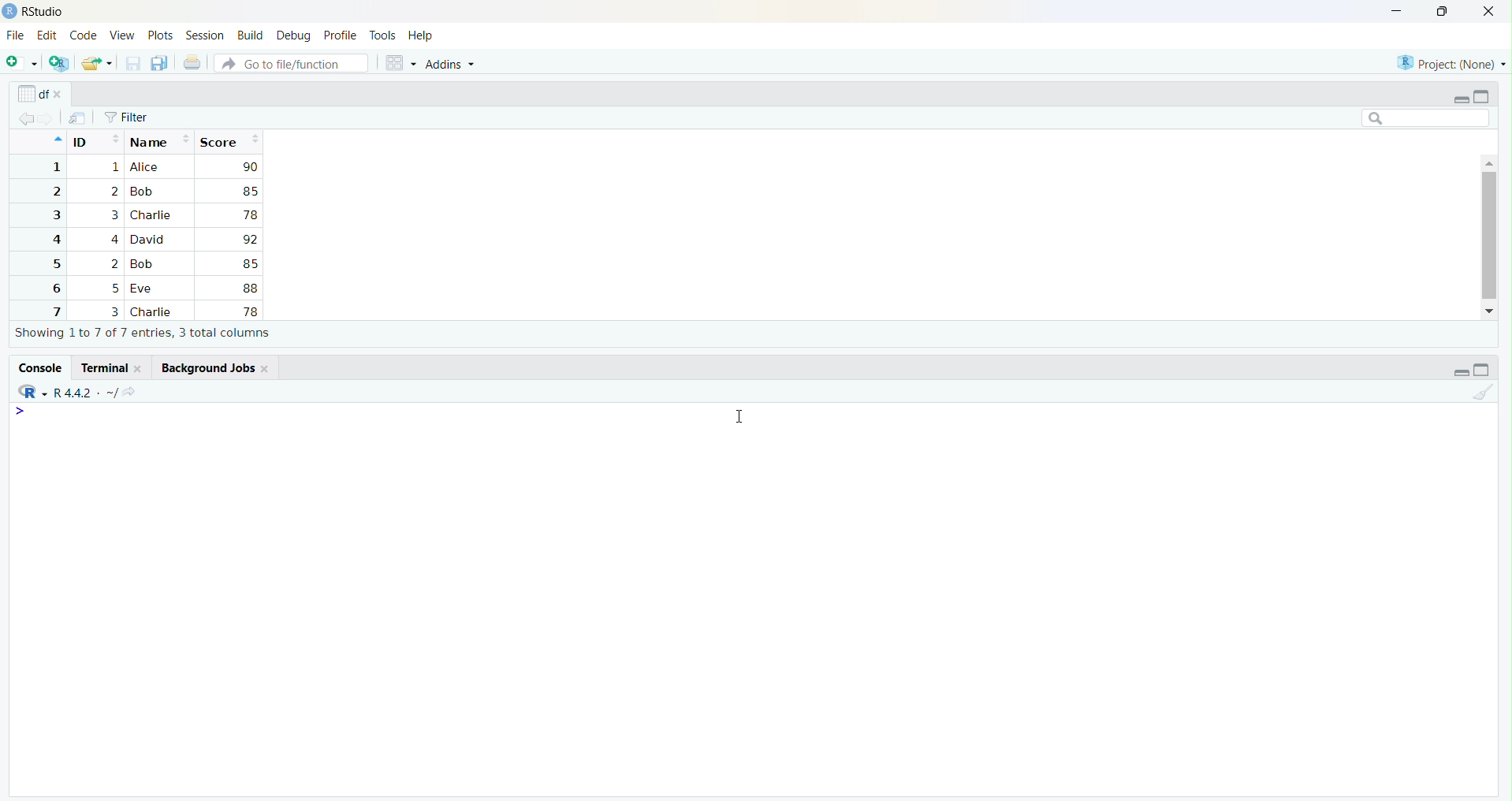 This screenshot has width=1512, height=801. I want to click on 1, so click(54, 167).